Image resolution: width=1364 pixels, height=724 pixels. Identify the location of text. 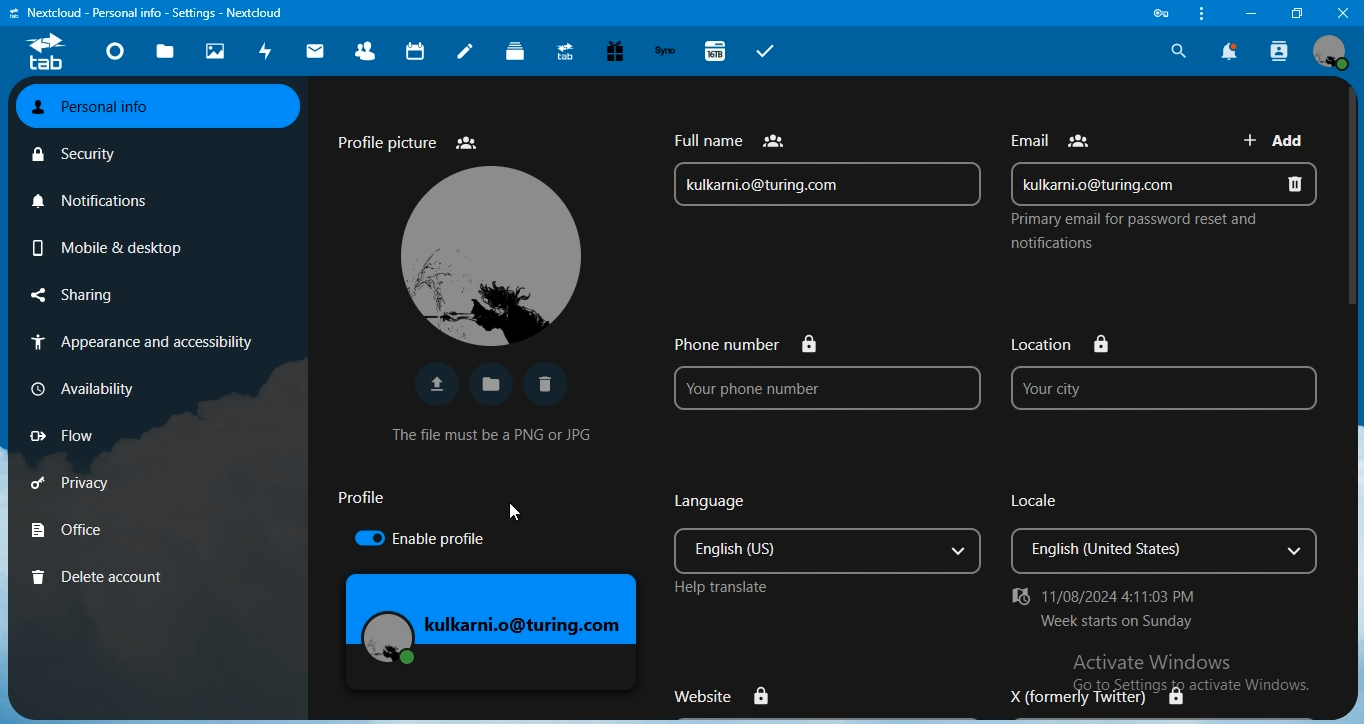
(1055, 135).